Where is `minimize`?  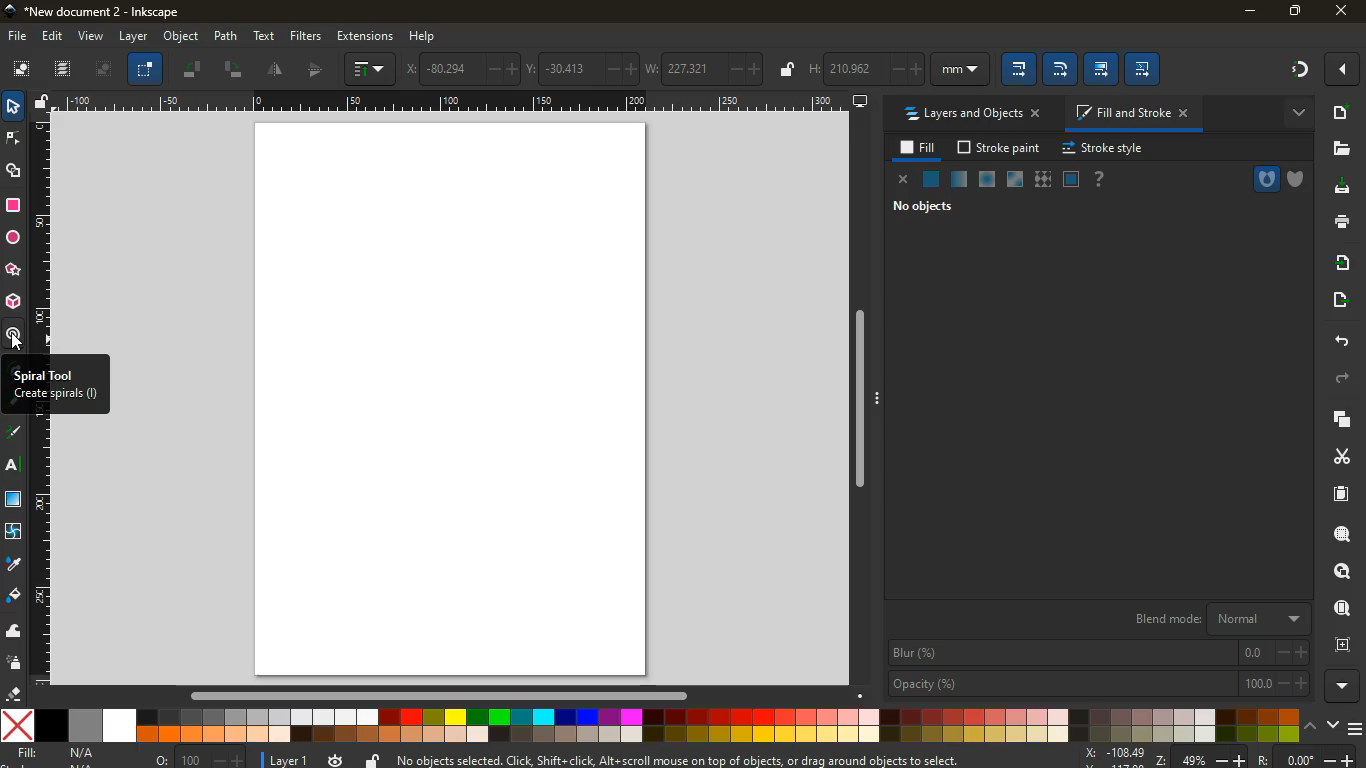
minimize is located at coordinates (1246, 12).